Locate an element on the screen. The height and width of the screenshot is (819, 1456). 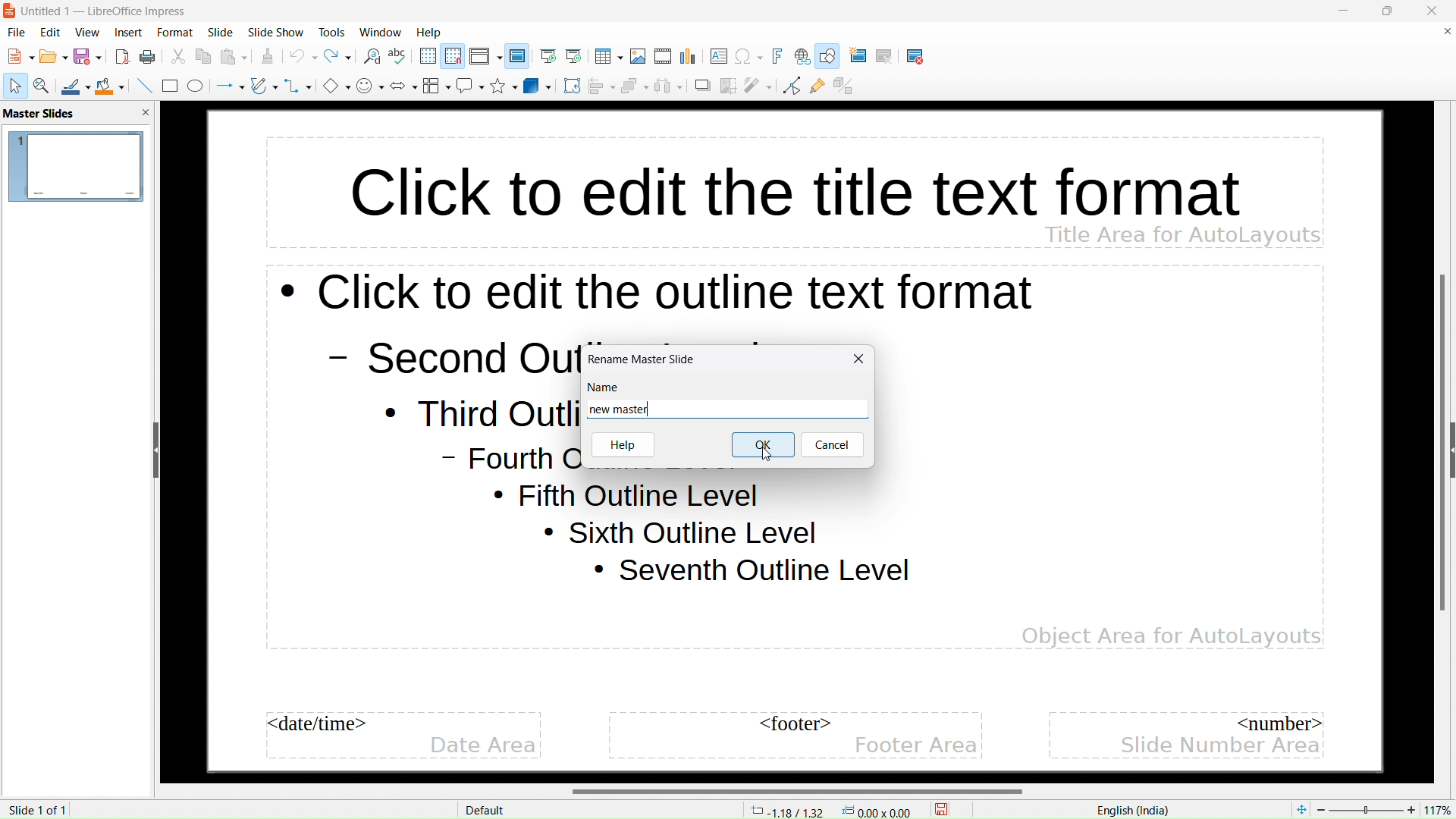
edit is located at coordinates (51, 33).